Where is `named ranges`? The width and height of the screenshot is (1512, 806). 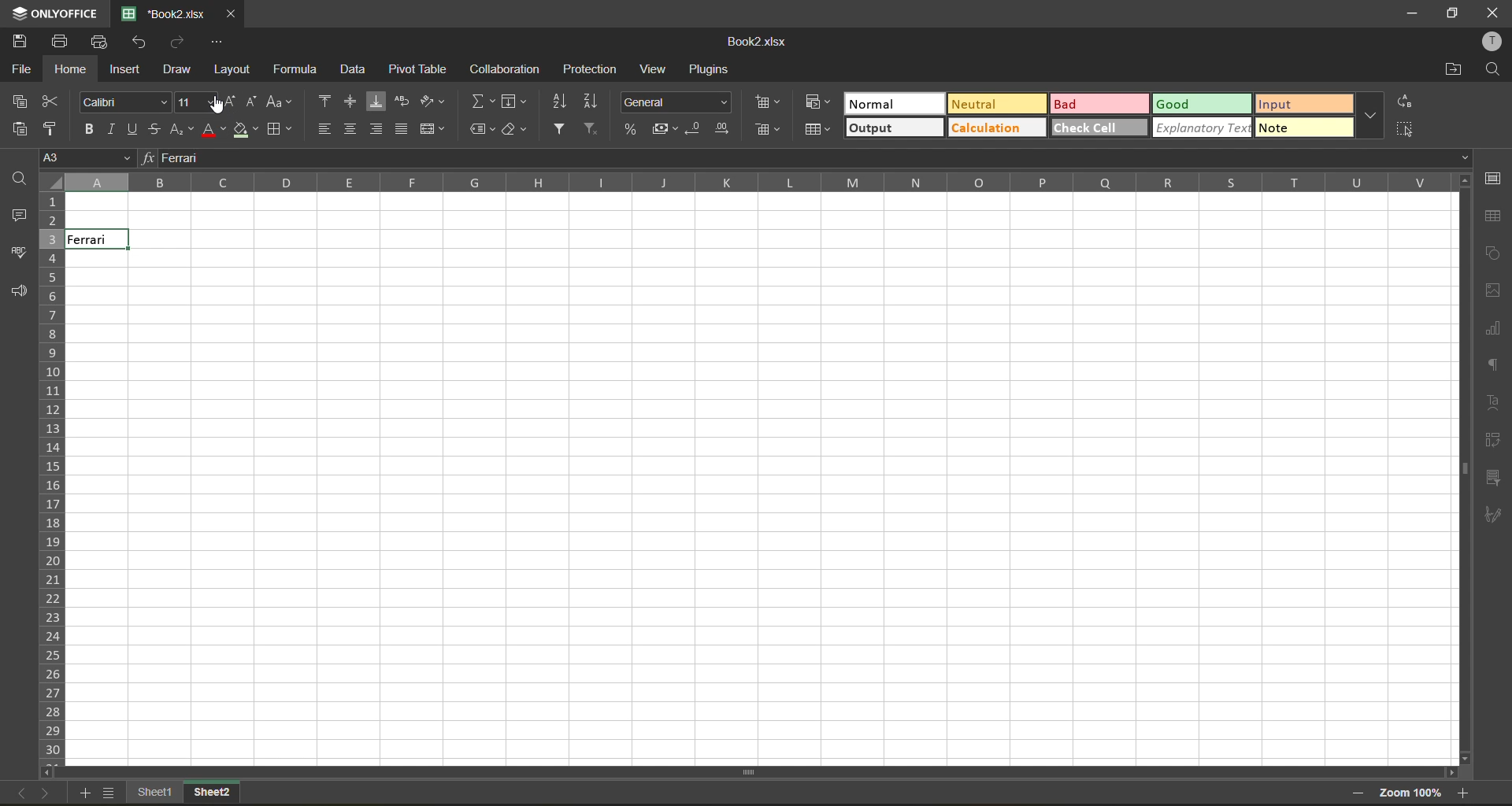 named ranges is located at coordinates (482, 126).